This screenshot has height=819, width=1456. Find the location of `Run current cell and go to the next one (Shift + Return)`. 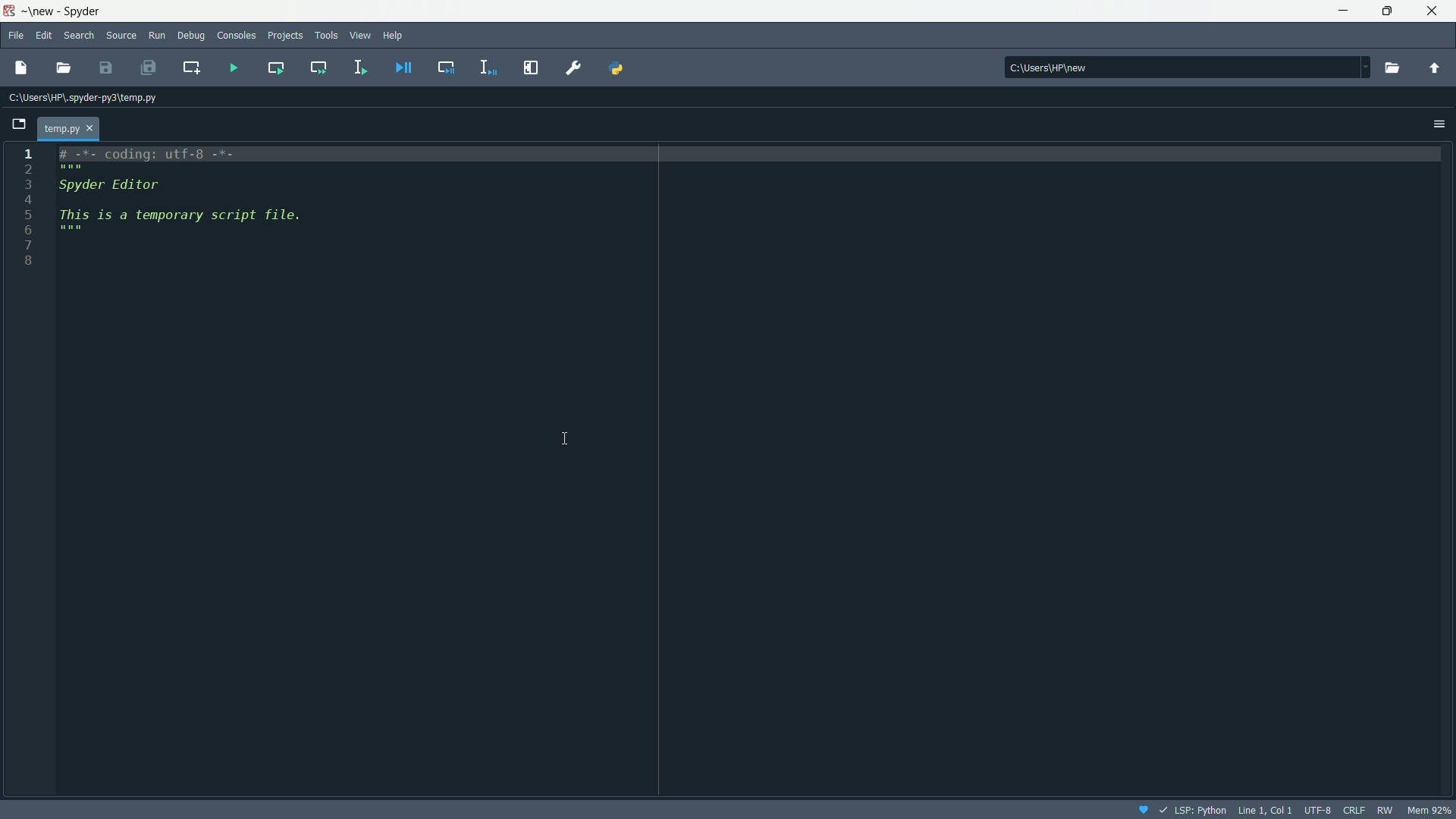

Run current cell and go to the next one (Shift + Return) is located at coordinates (320, 67).